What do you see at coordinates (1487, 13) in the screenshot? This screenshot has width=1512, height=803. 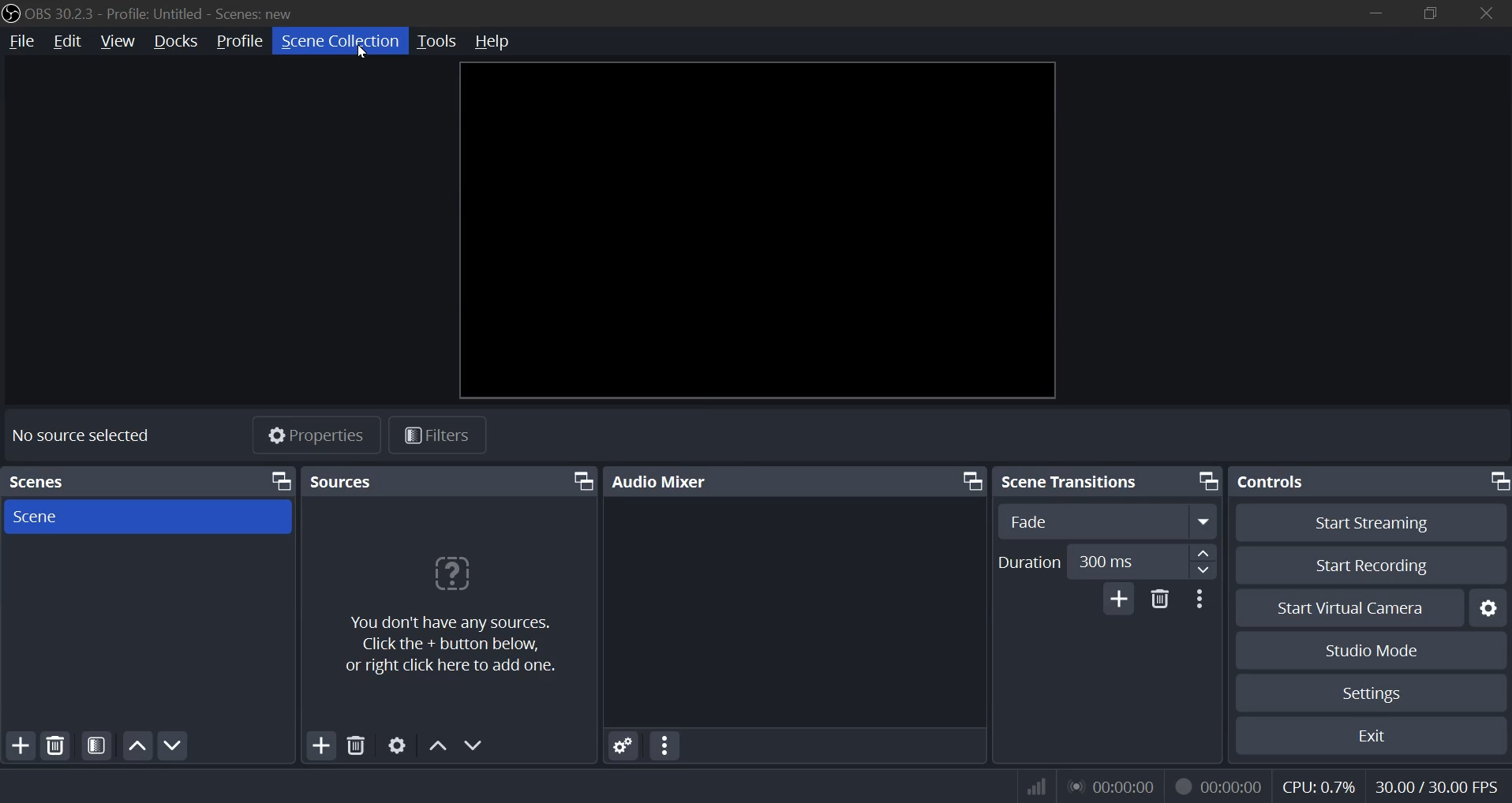 I see `close` at bounding box center [1487, 13].